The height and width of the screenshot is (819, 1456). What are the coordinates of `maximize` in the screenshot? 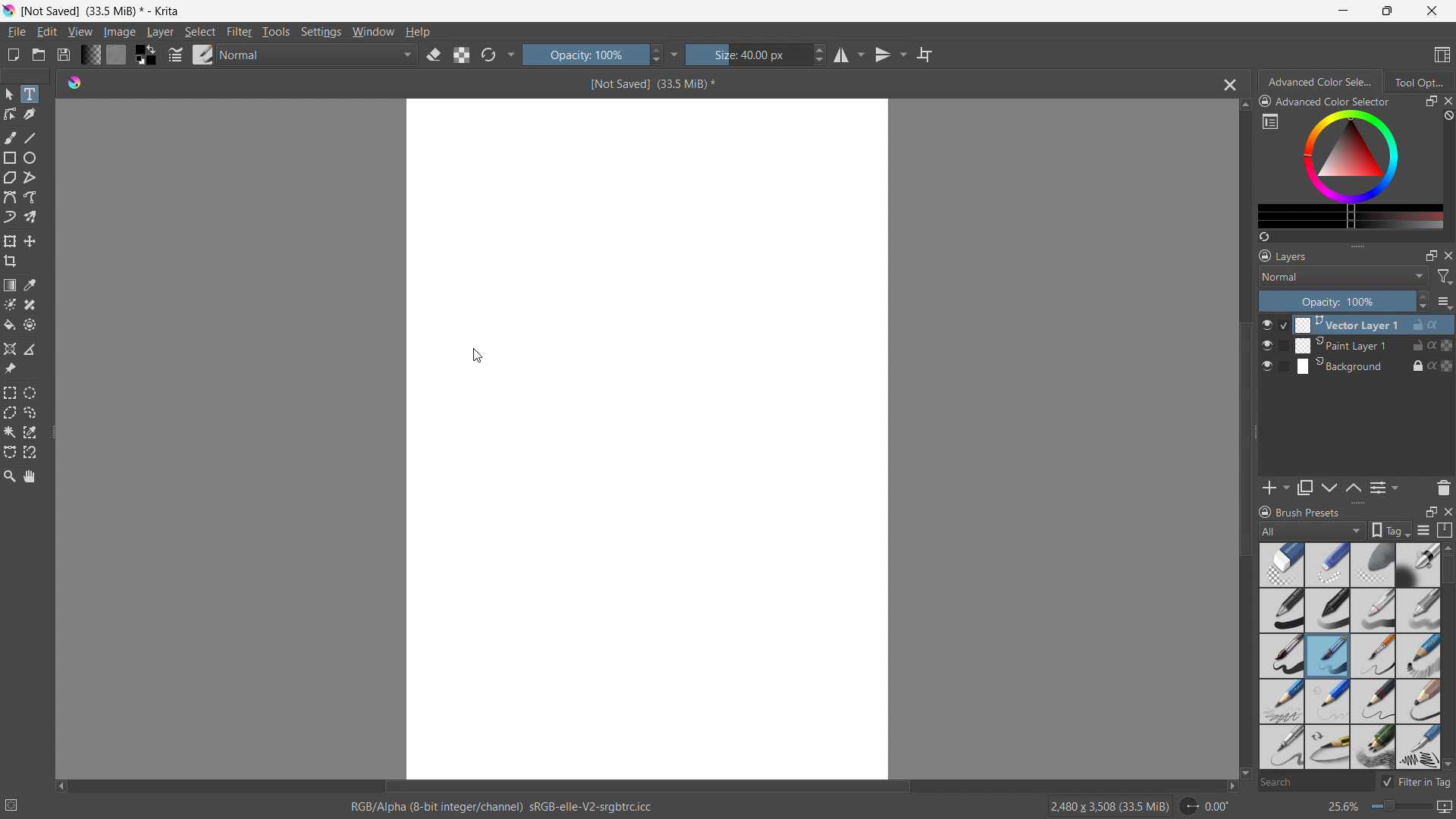 It's located at (1430, 102).